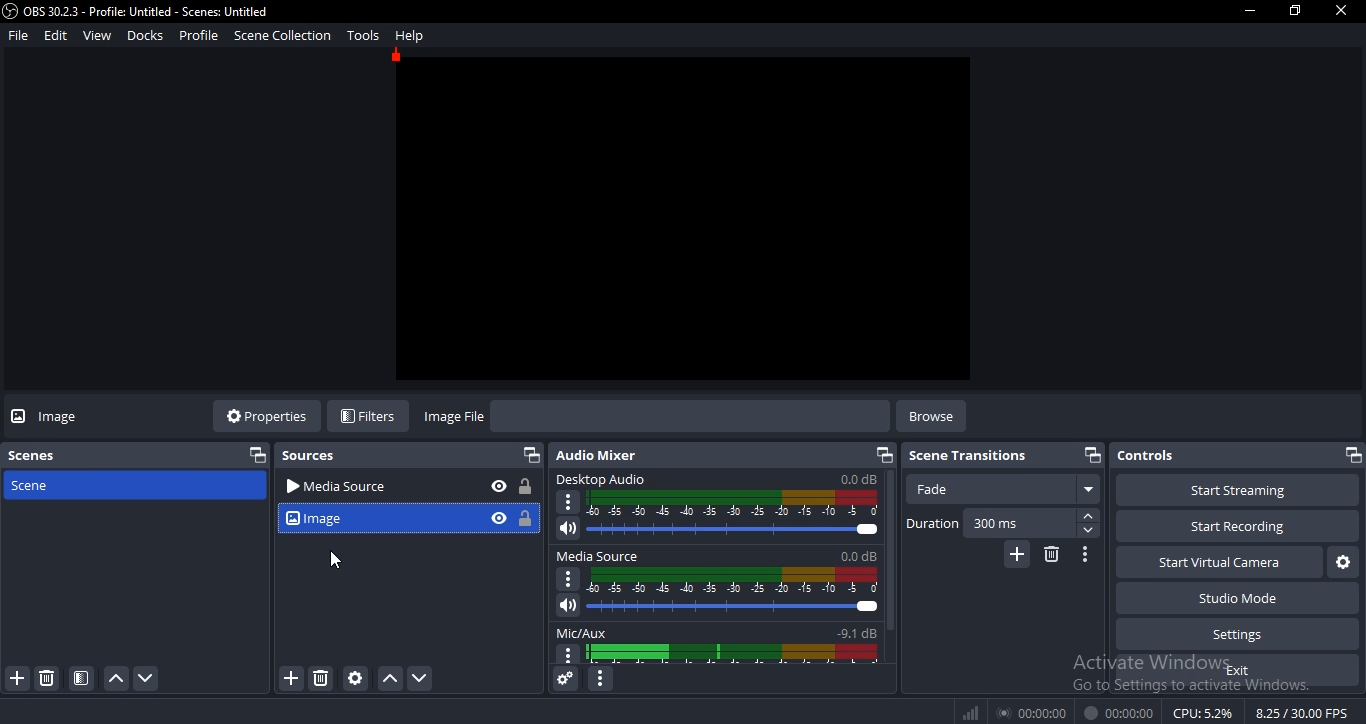  I want to click on start streaming, so click(1231, 490).